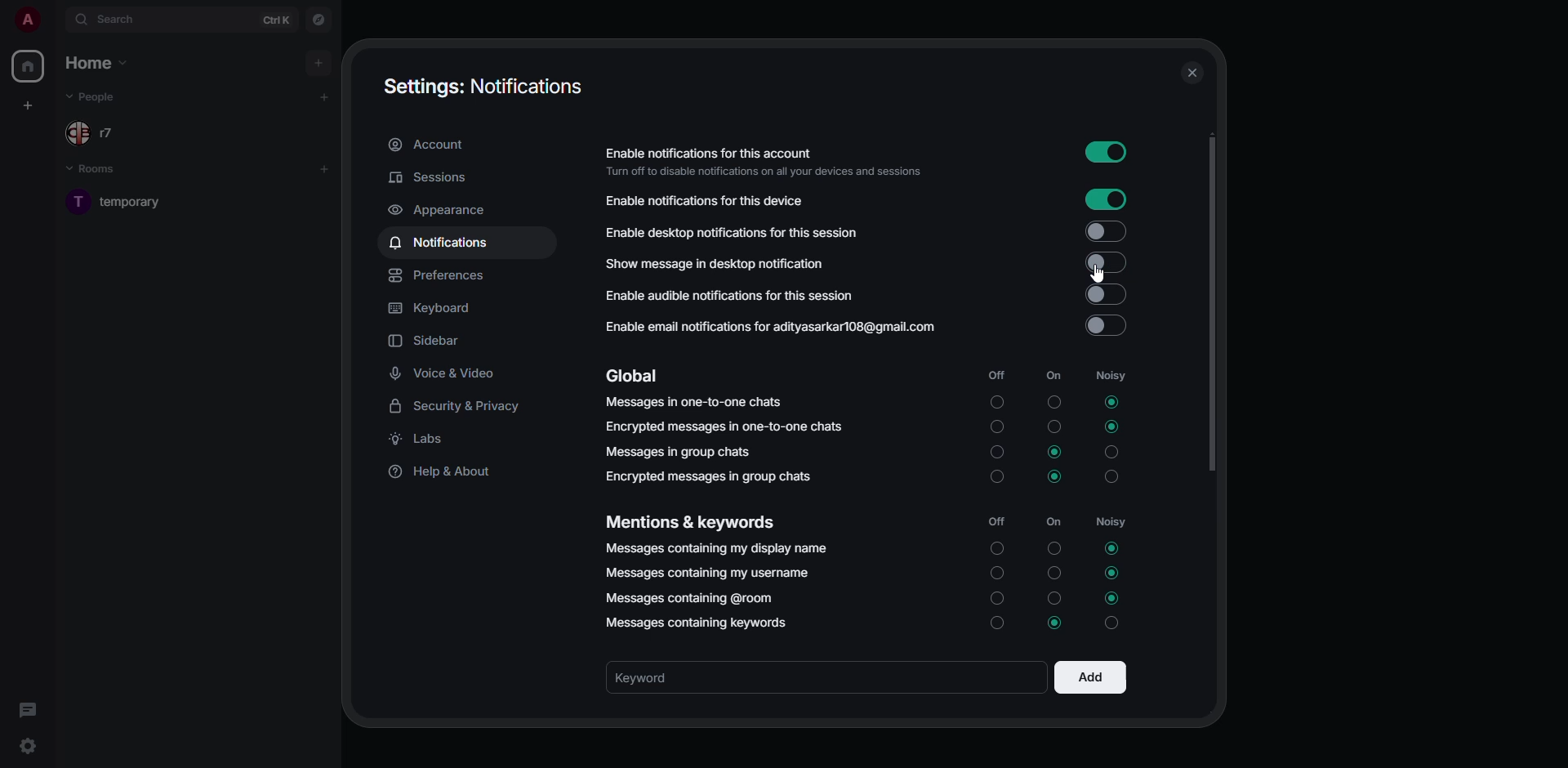 Image resolution: width=1568 pixels, height=768 pixels. Describe the element at coordinates (1114, 571) in the screenshot. I see `selected` at that location.